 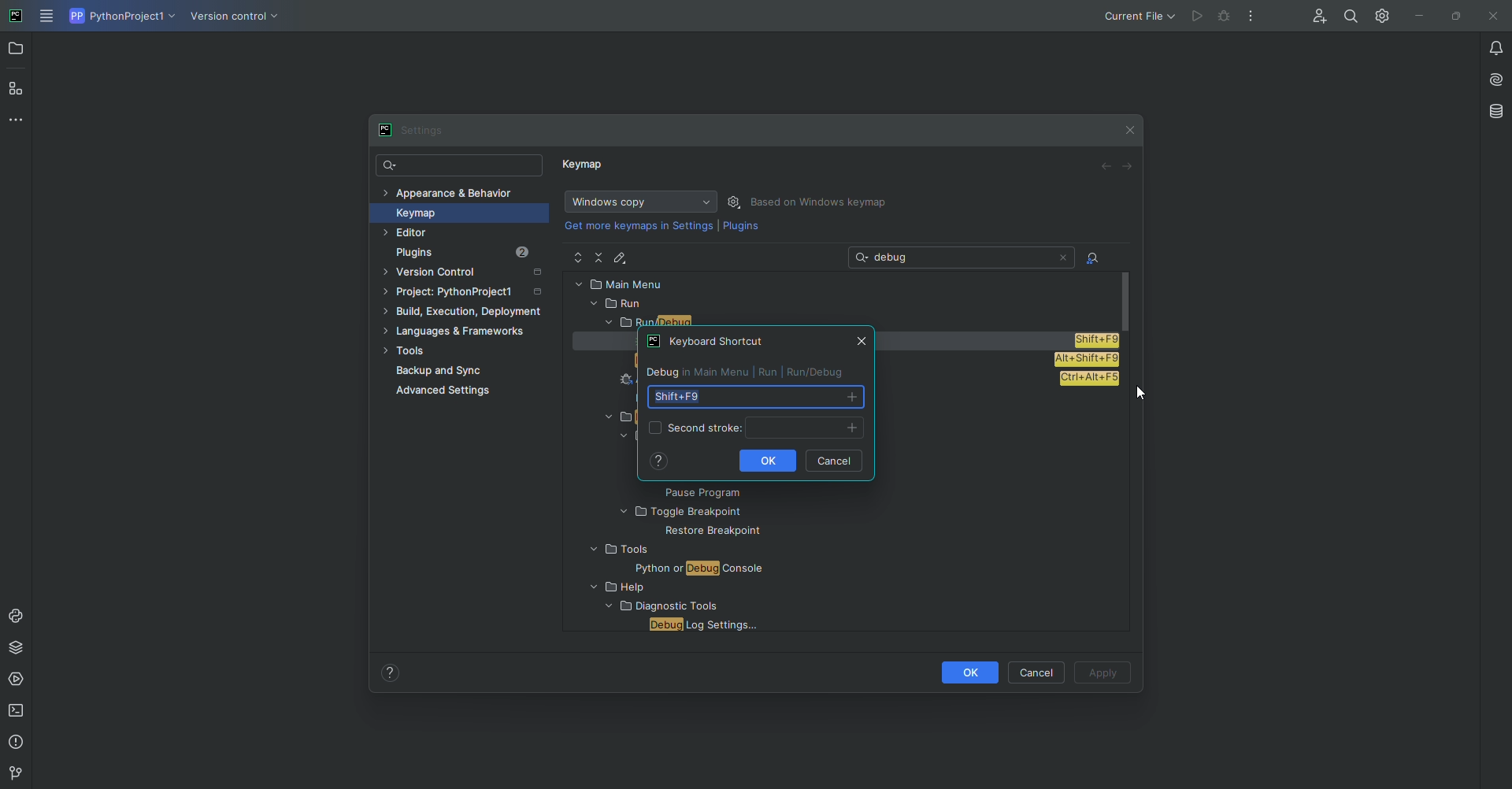 What do you see at coordinates (1491, 17) in the screenshot?
I see `Close` at bounding box center [1491, 17].